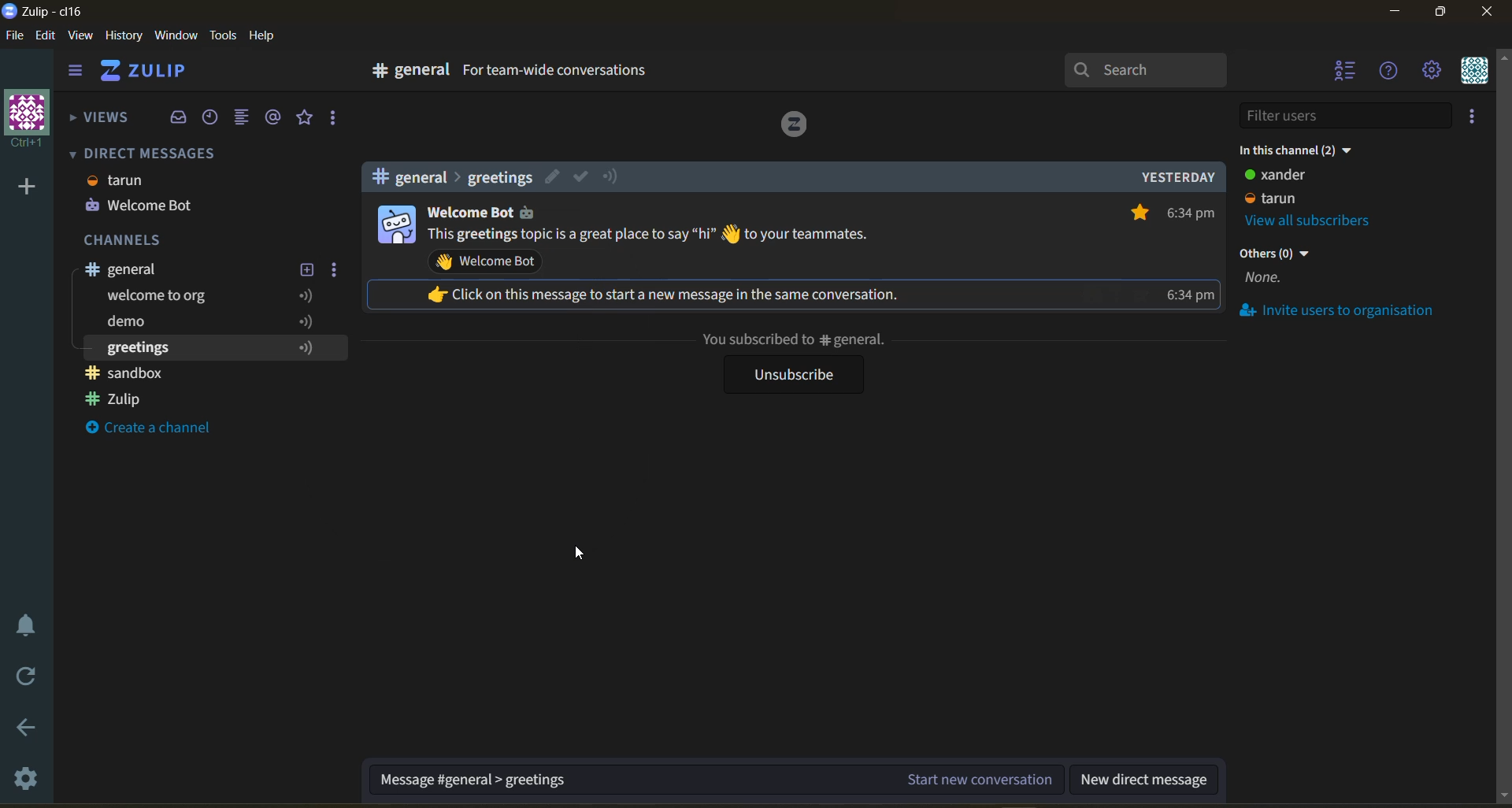 Image resolution: width=1512 pixels, height=808 pixels. I want to click on help manu, so click(1390, 71).